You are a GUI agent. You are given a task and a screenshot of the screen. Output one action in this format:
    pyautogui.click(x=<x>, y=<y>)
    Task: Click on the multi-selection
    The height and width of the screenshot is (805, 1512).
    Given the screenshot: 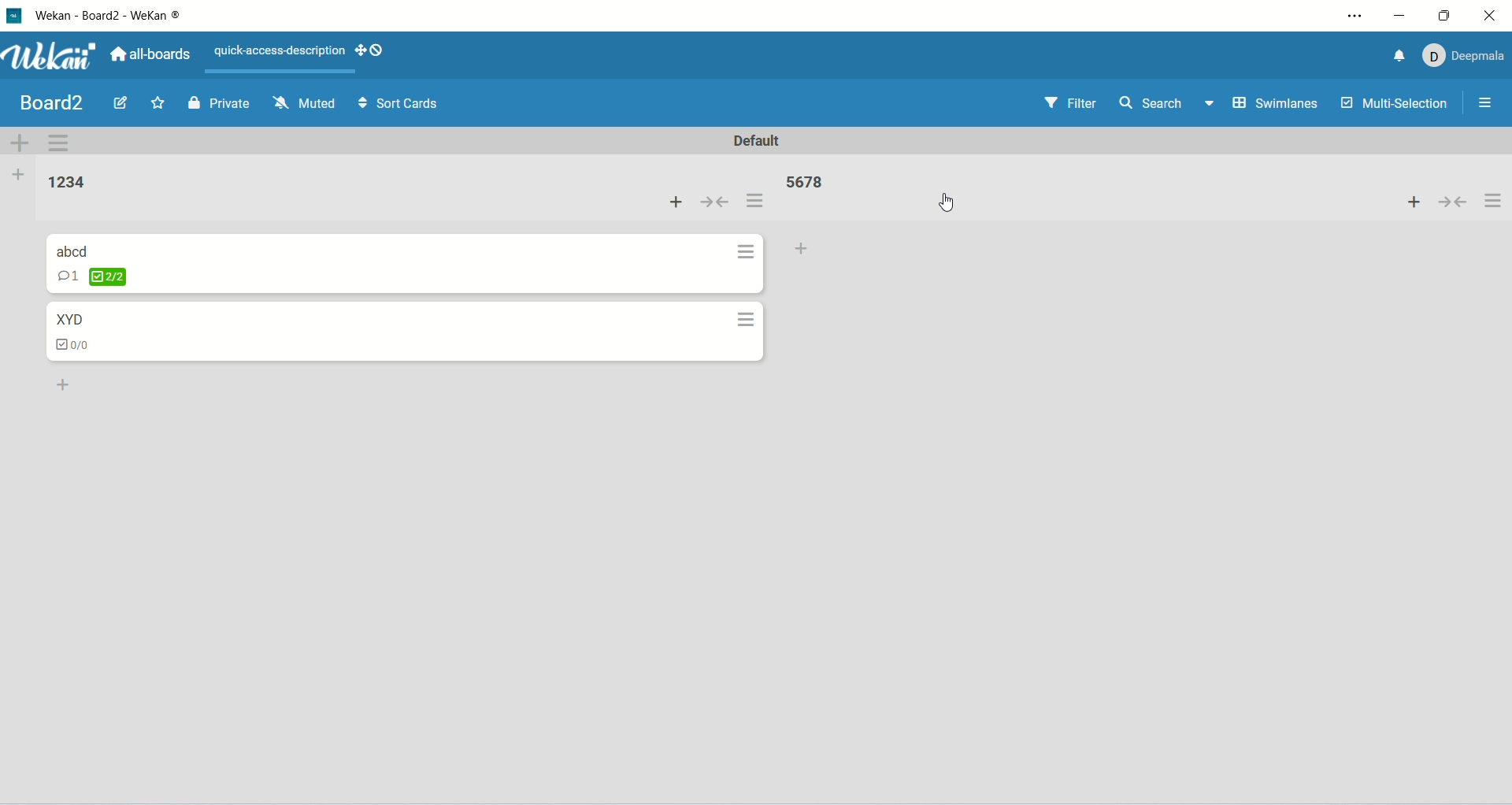 What is the action you would take?
    pyautogui.click(x=1396, y=106)
    